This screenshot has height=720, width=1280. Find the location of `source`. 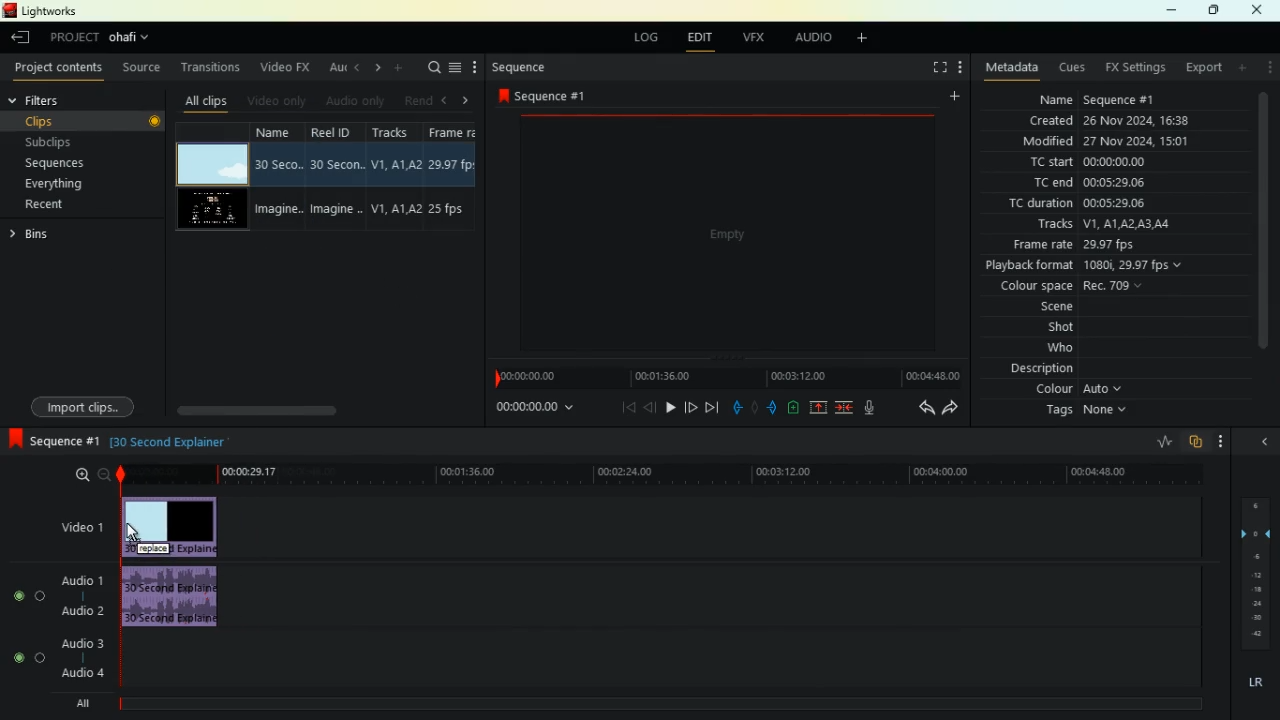

source is located at coordinates (144, 67).